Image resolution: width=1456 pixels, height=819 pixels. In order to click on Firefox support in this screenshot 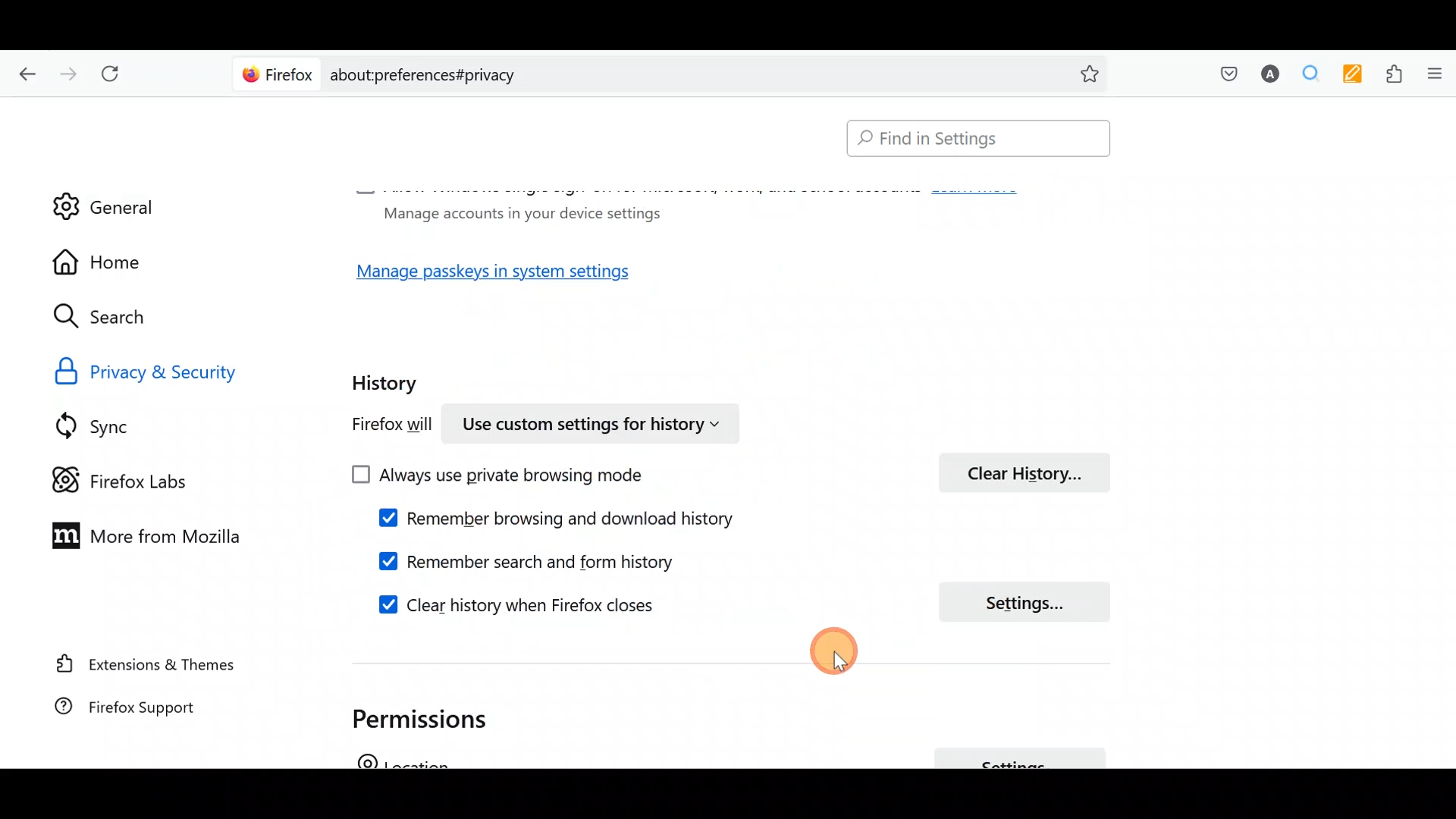, I will do `click(144, 714)`.